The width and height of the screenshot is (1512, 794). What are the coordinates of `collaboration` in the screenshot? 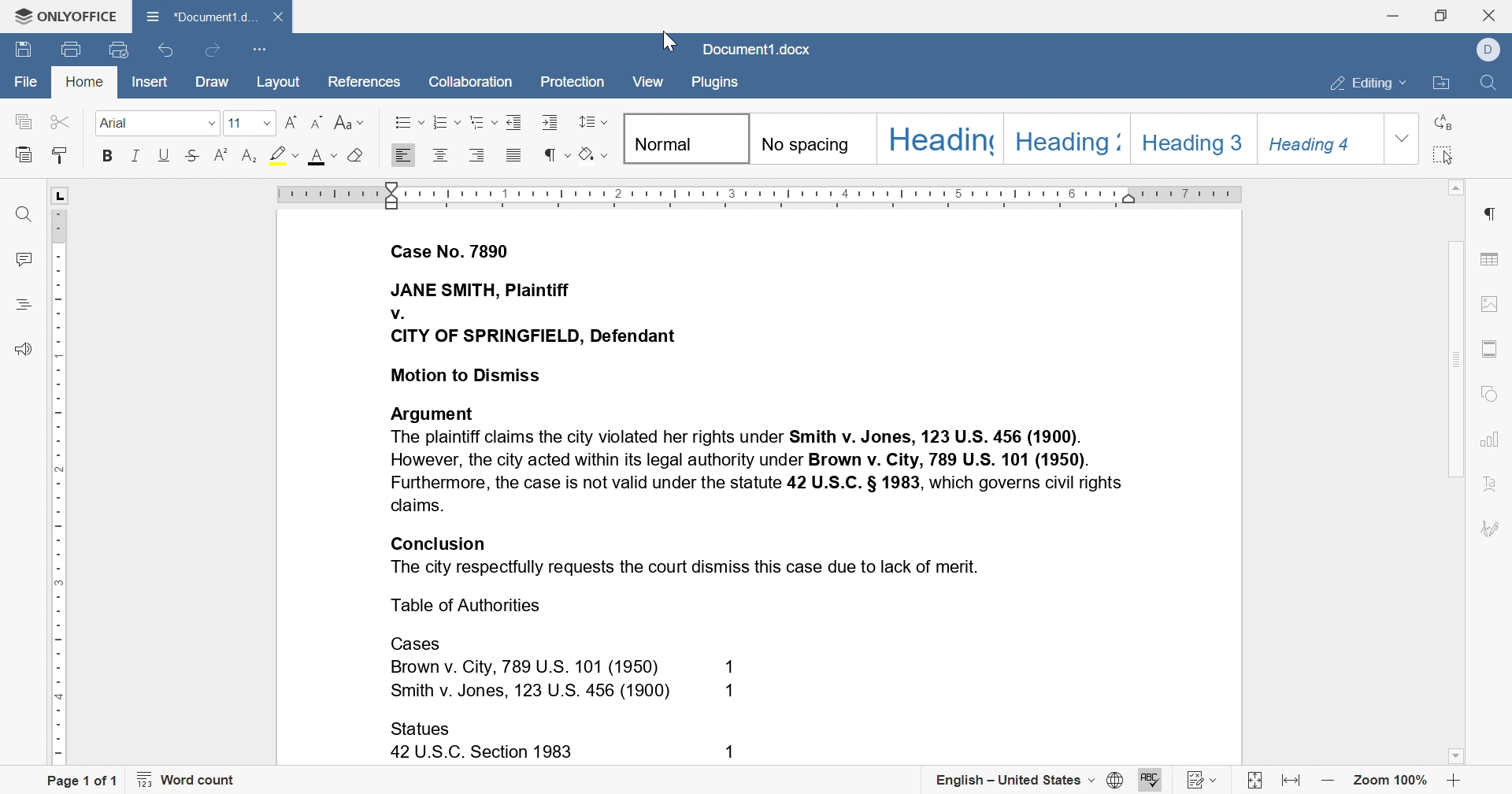 It's located at (472, 85).